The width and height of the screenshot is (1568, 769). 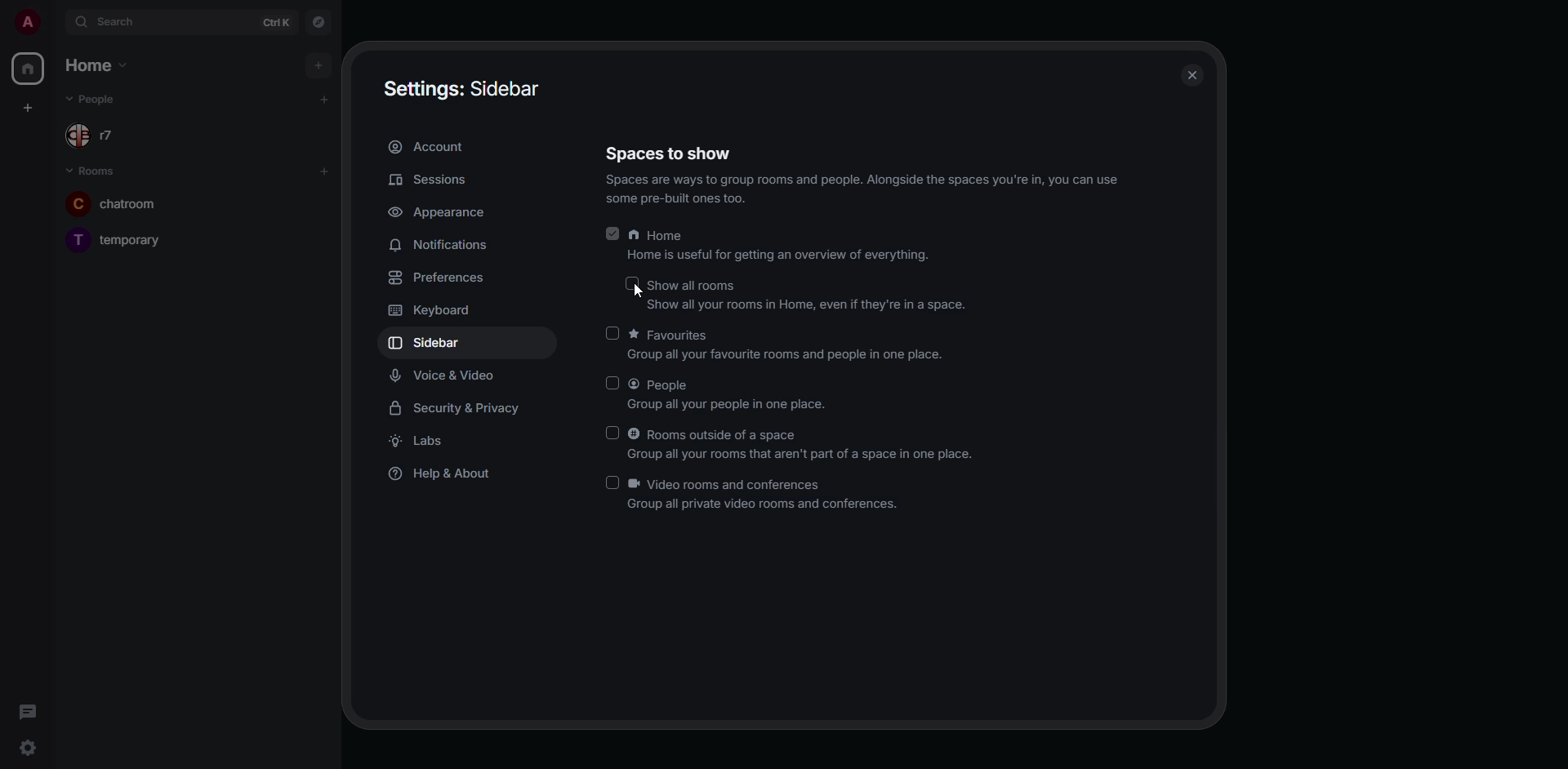 What do you see at coordinates (323, 171) in the screenshot?
I see `add` at bounding box center [323, 171].